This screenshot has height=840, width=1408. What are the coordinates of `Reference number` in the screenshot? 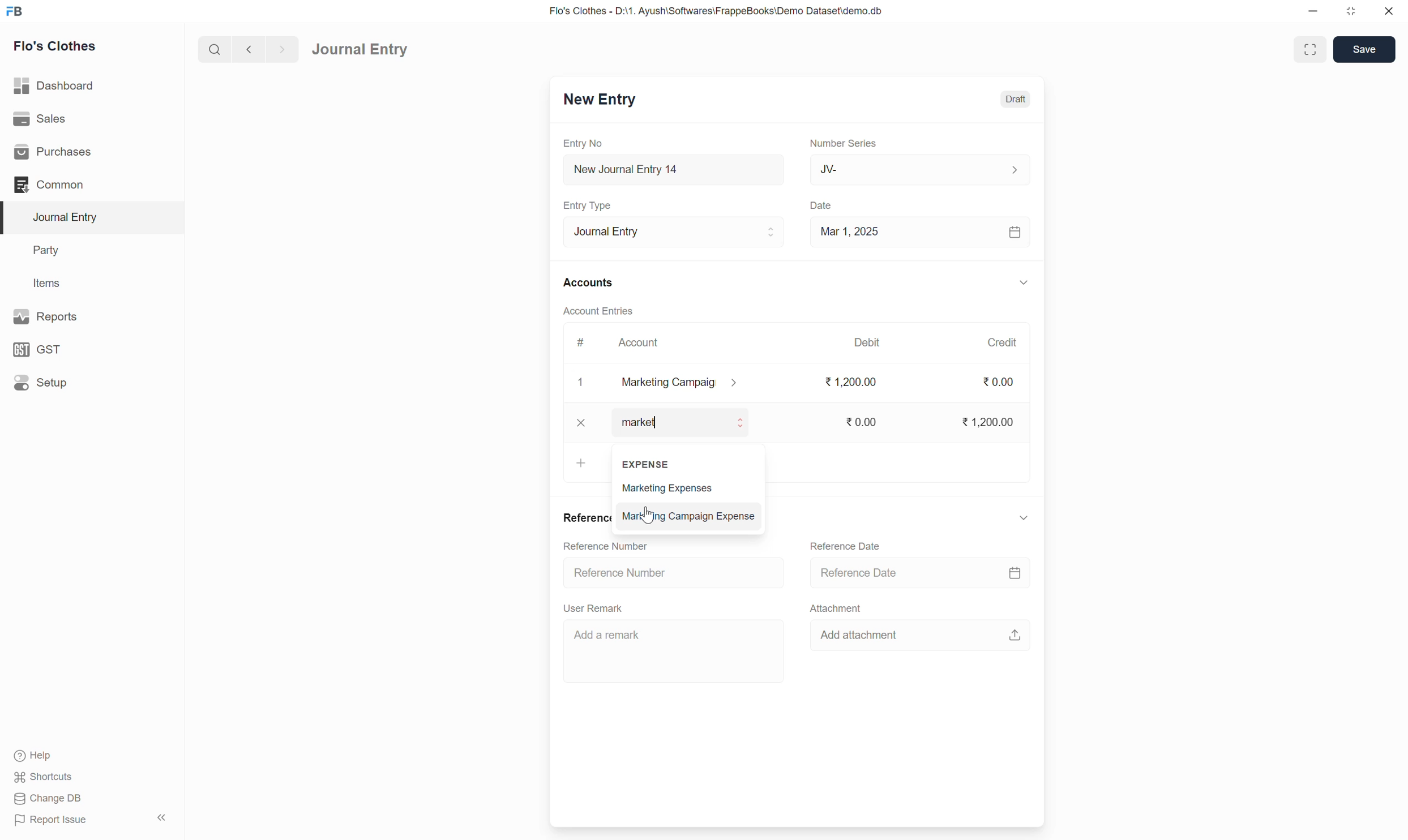 It's located at (619, 546).